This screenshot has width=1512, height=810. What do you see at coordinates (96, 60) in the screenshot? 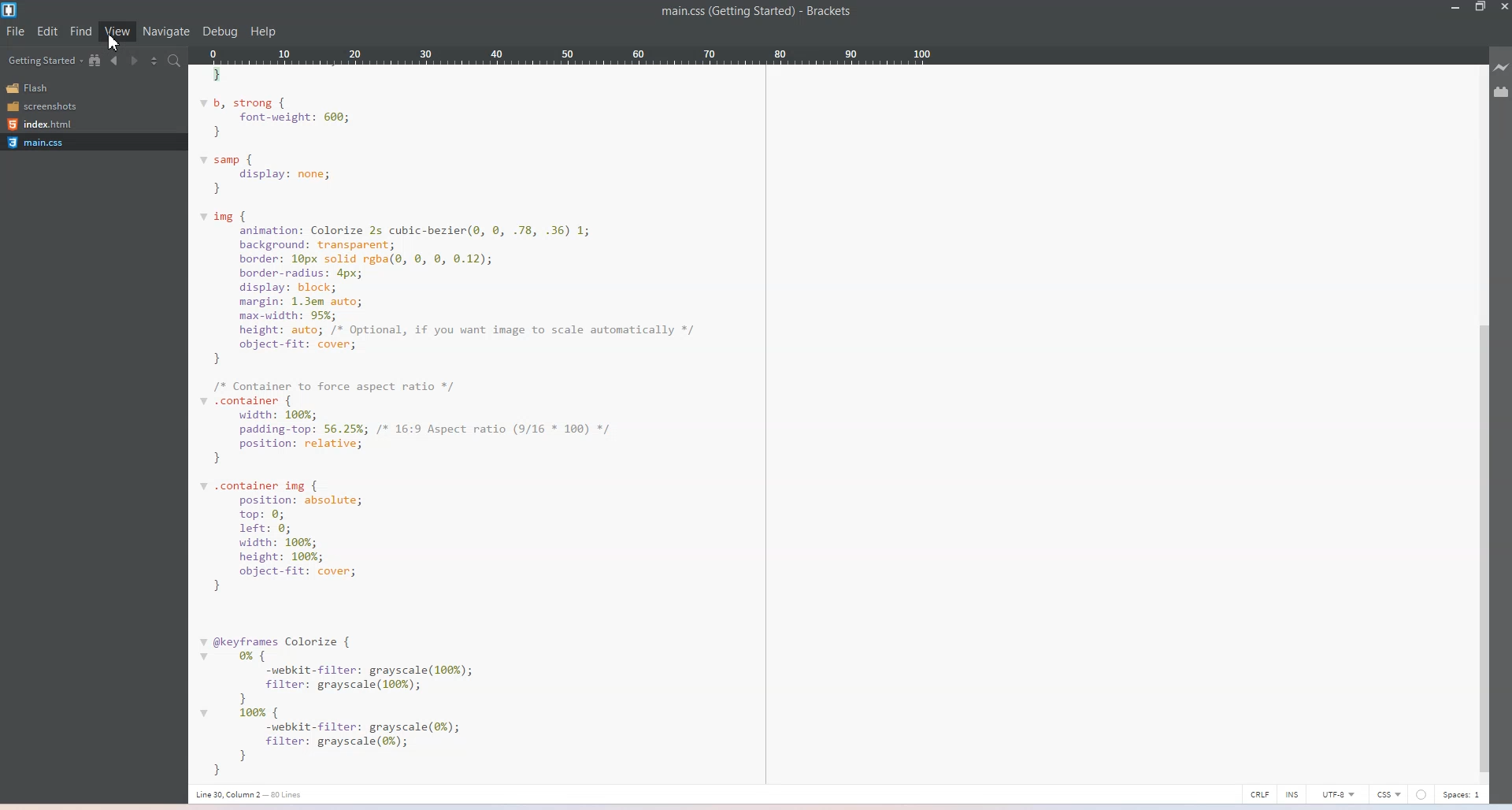
I see `Show in file tree` at bounding box center [96, 60].